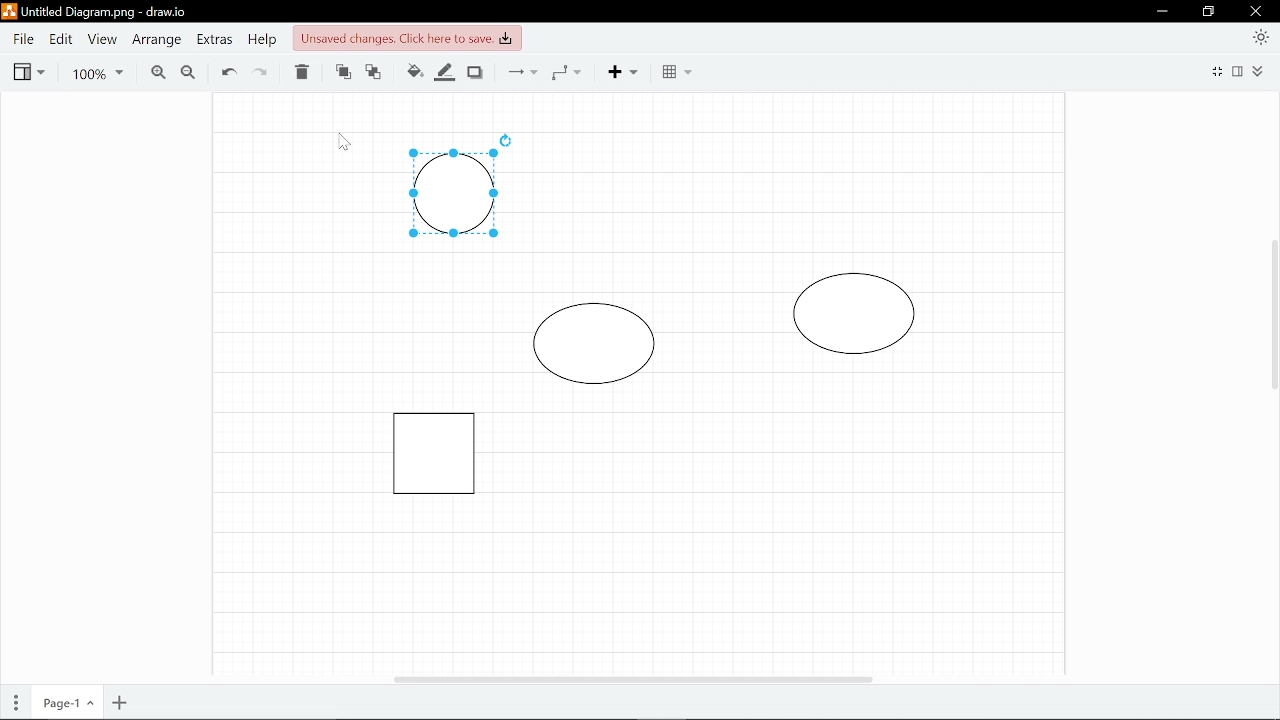 The height and width of the screenshot is (720, 1280). What do you see at coordinates (261, 39) in the screenshot?
I see `Help` at bounding box center [261, 39].